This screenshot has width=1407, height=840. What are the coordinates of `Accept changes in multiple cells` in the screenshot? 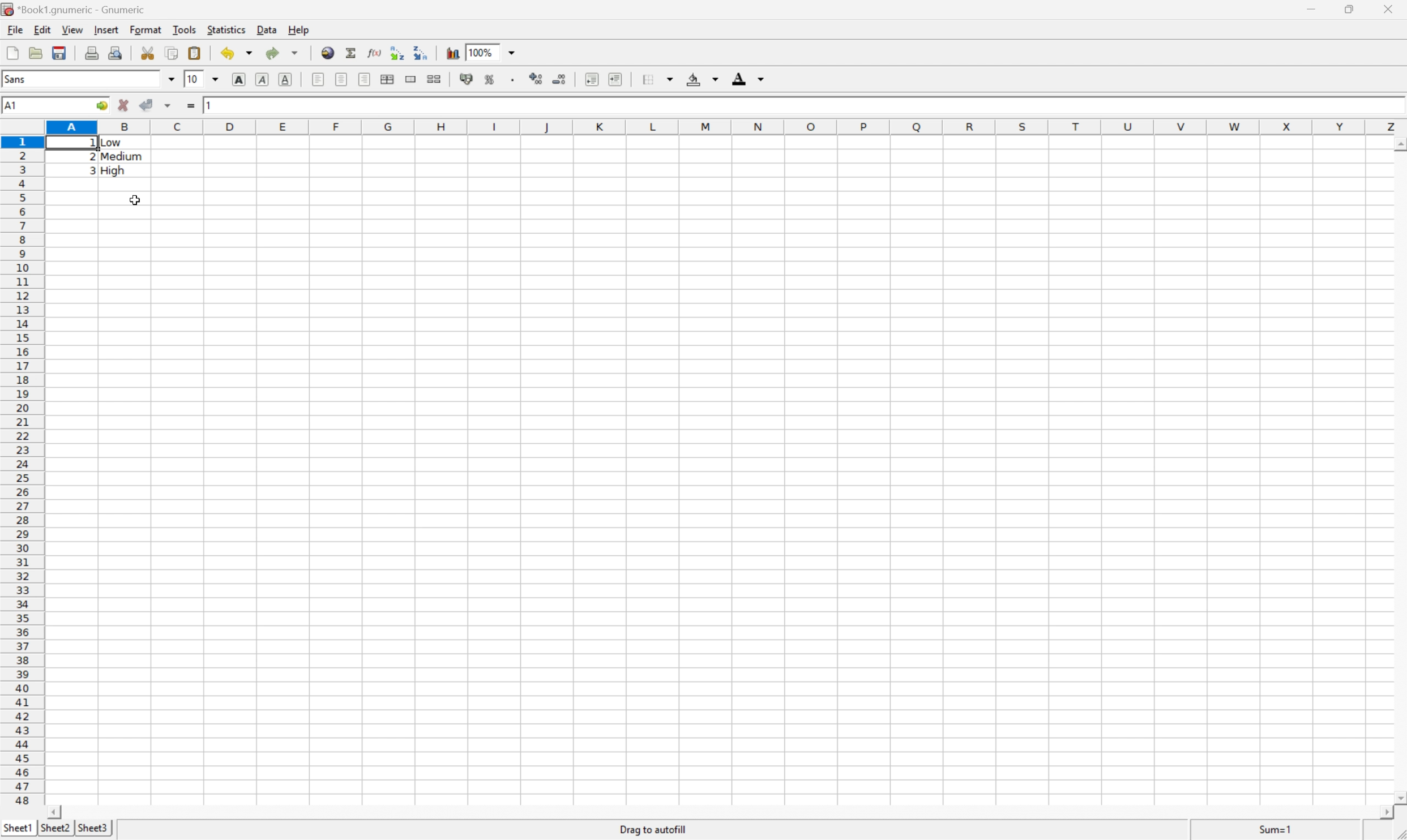 It's located at (167, 106).